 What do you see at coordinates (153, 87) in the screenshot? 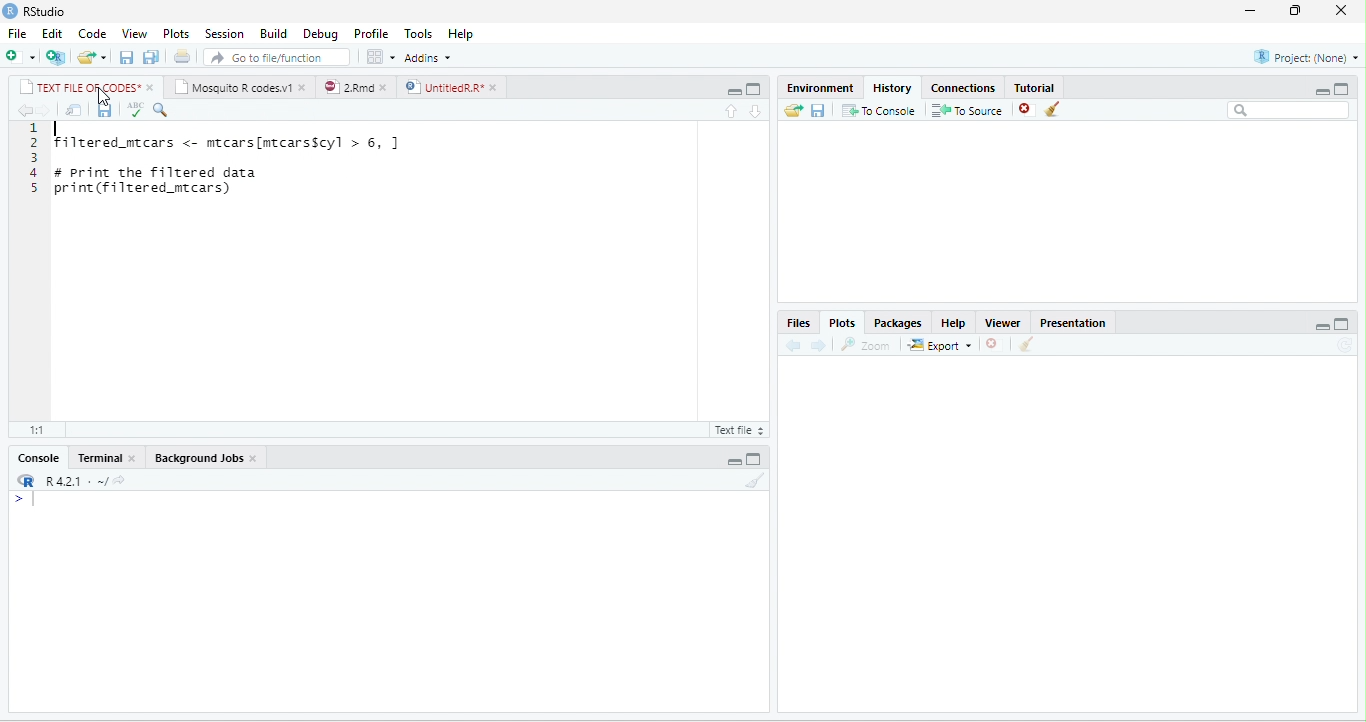
I see `close` at bounding box center [153, 87].